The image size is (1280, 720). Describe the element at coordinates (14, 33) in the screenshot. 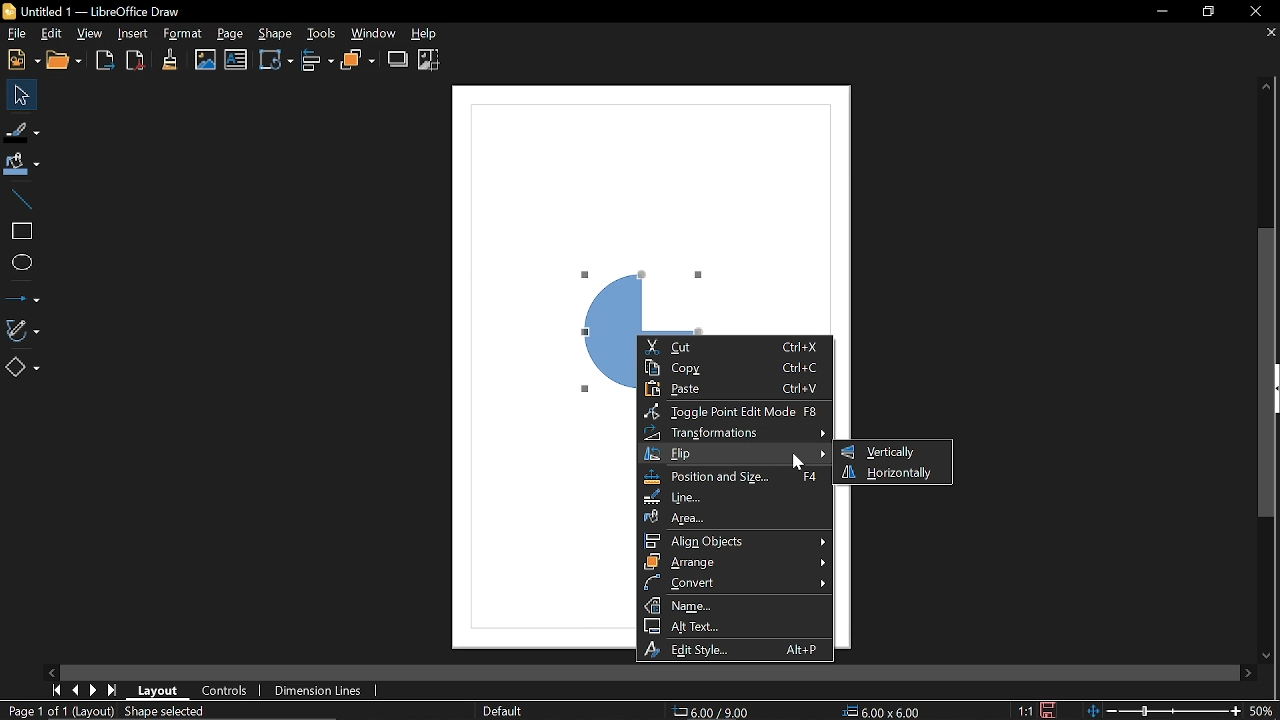

I see `File` at that location.